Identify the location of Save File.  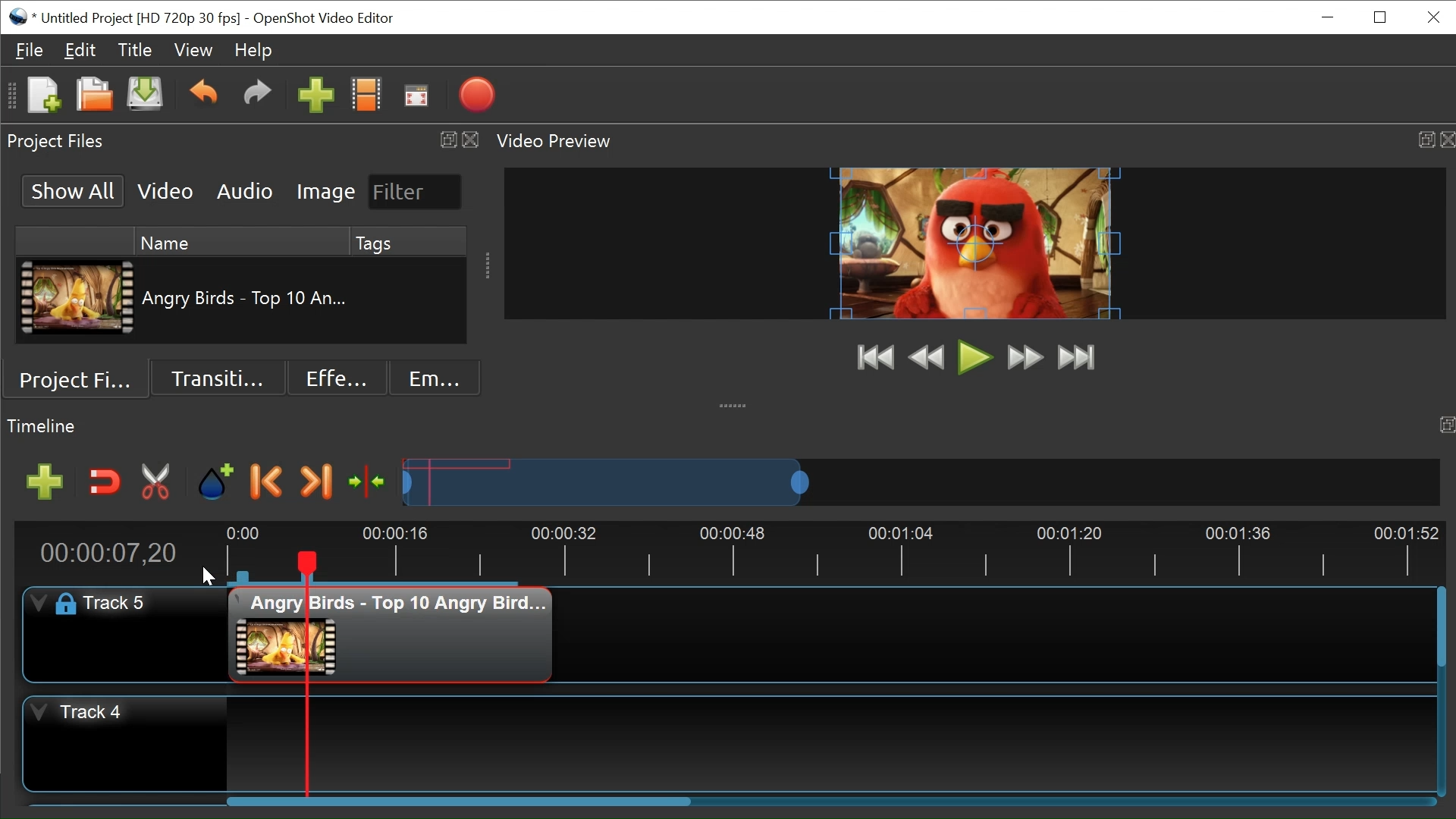
(145, 97).